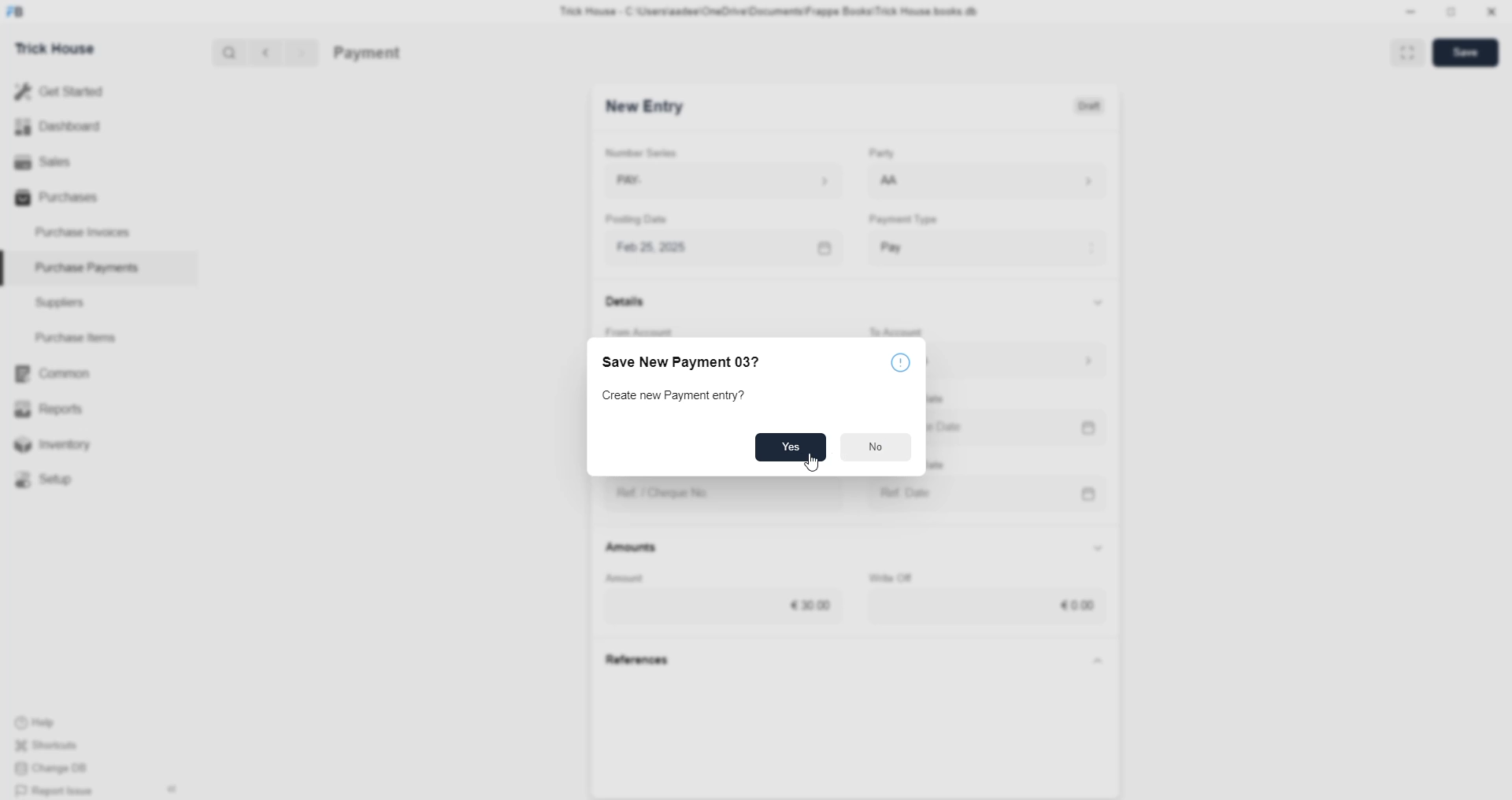 The width and height of the screenshot is (1512, 800). What do you see at coordinates (54, 407) in the screenshot?
I see `Reports` at bounding box center [54, 407].